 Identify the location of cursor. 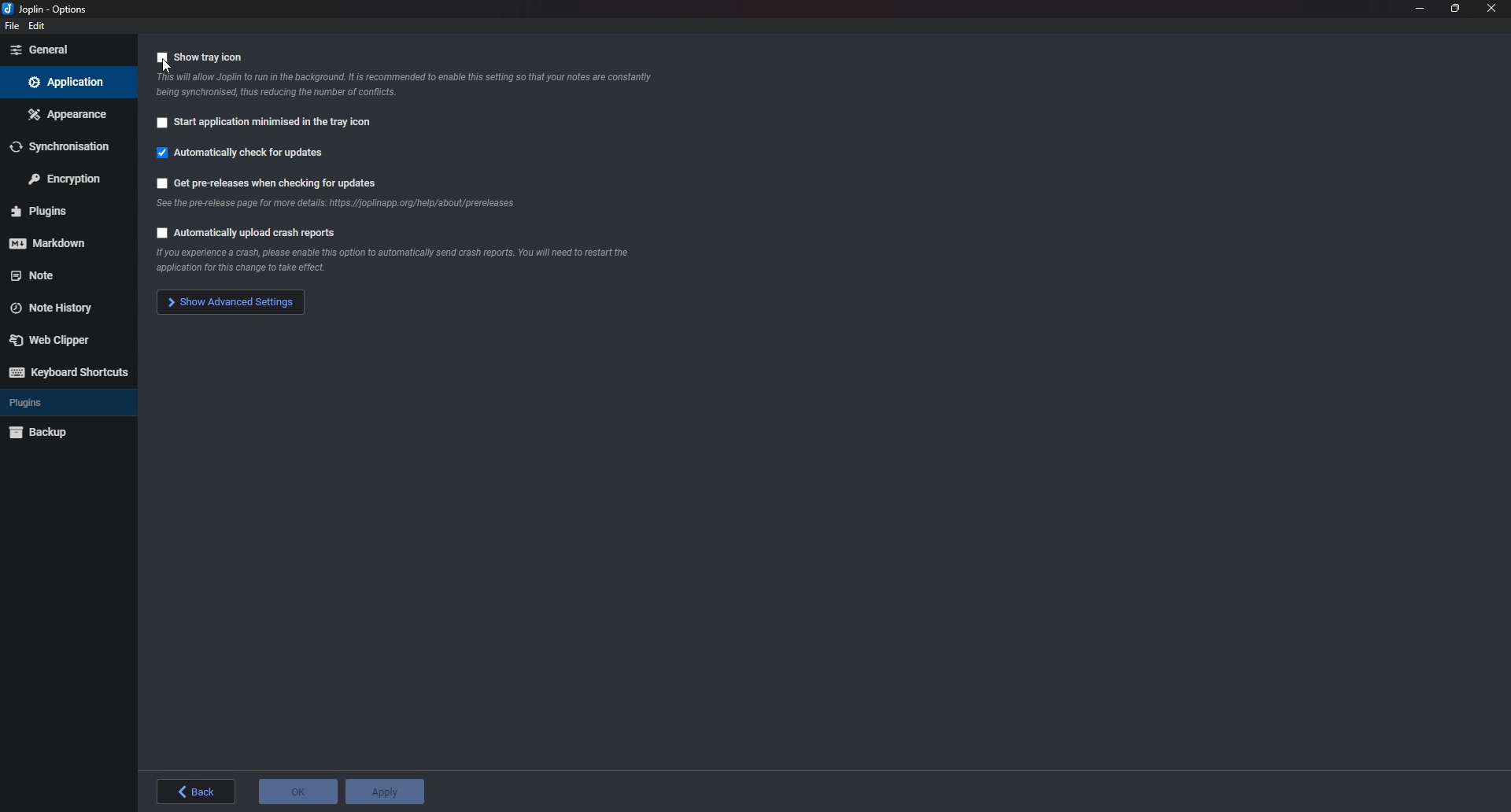
(168, 62).